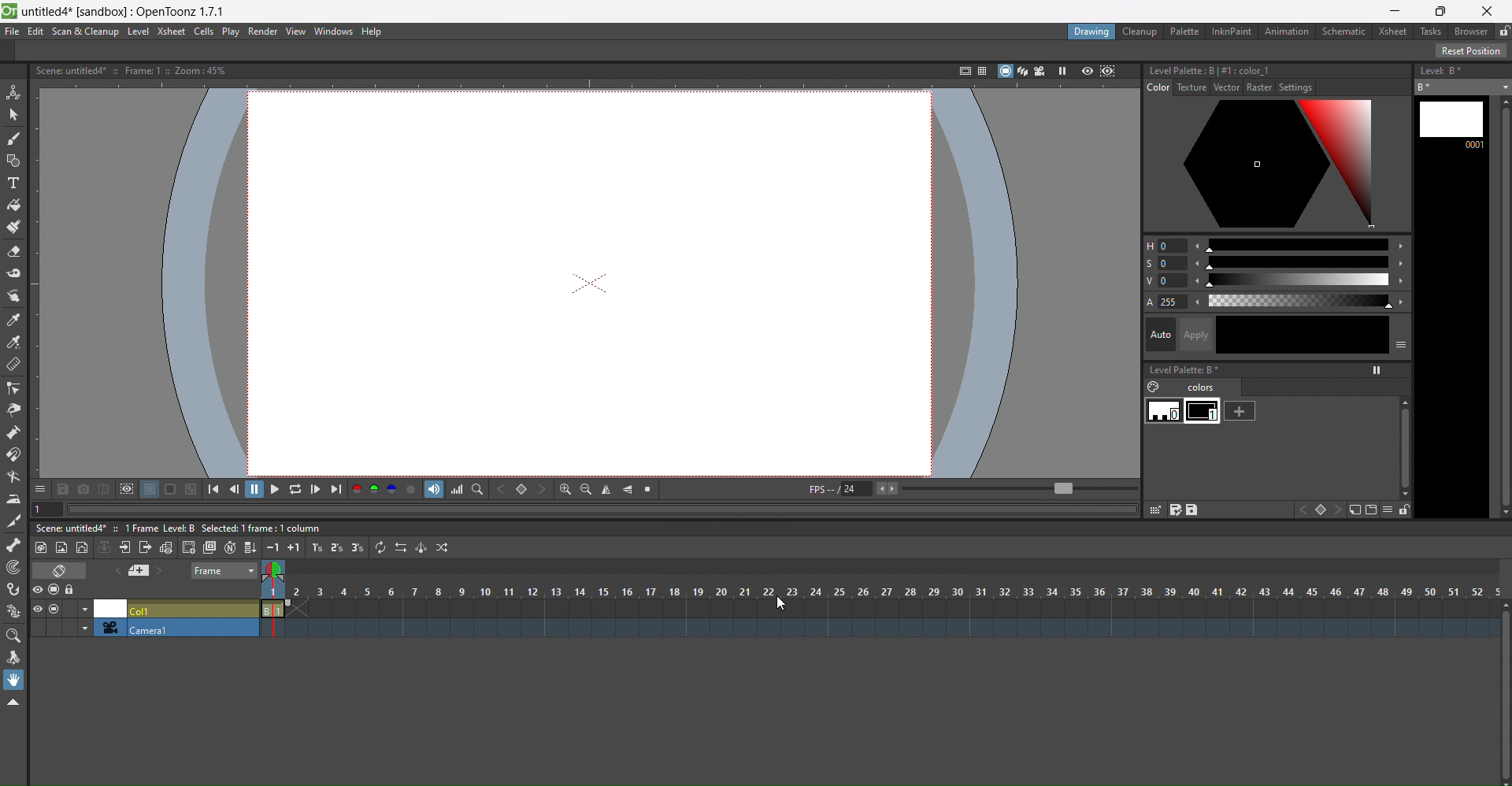  I want to click on tool, so click(126, 489).